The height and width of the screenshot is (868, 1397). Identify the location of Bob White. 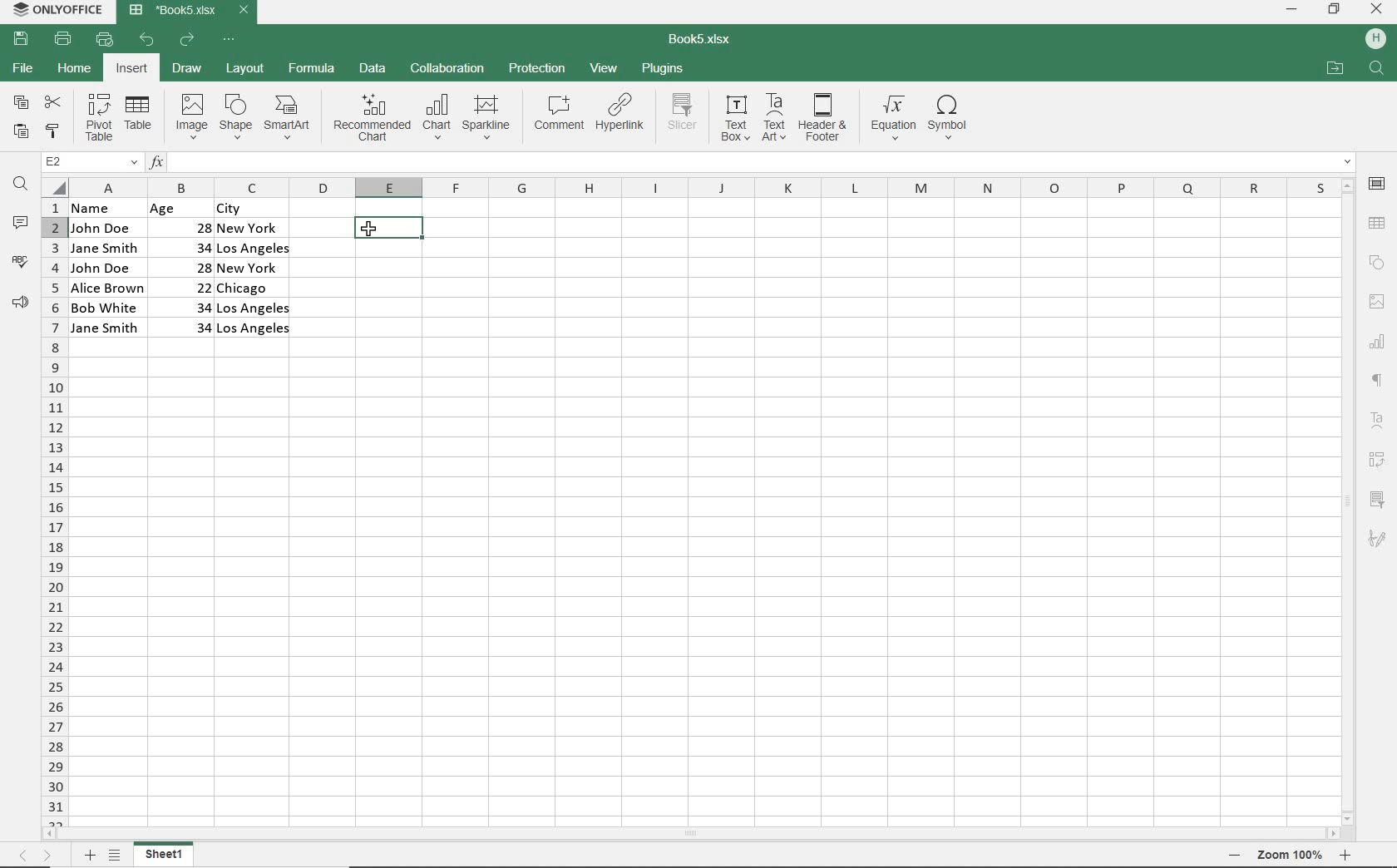
(107, 306).